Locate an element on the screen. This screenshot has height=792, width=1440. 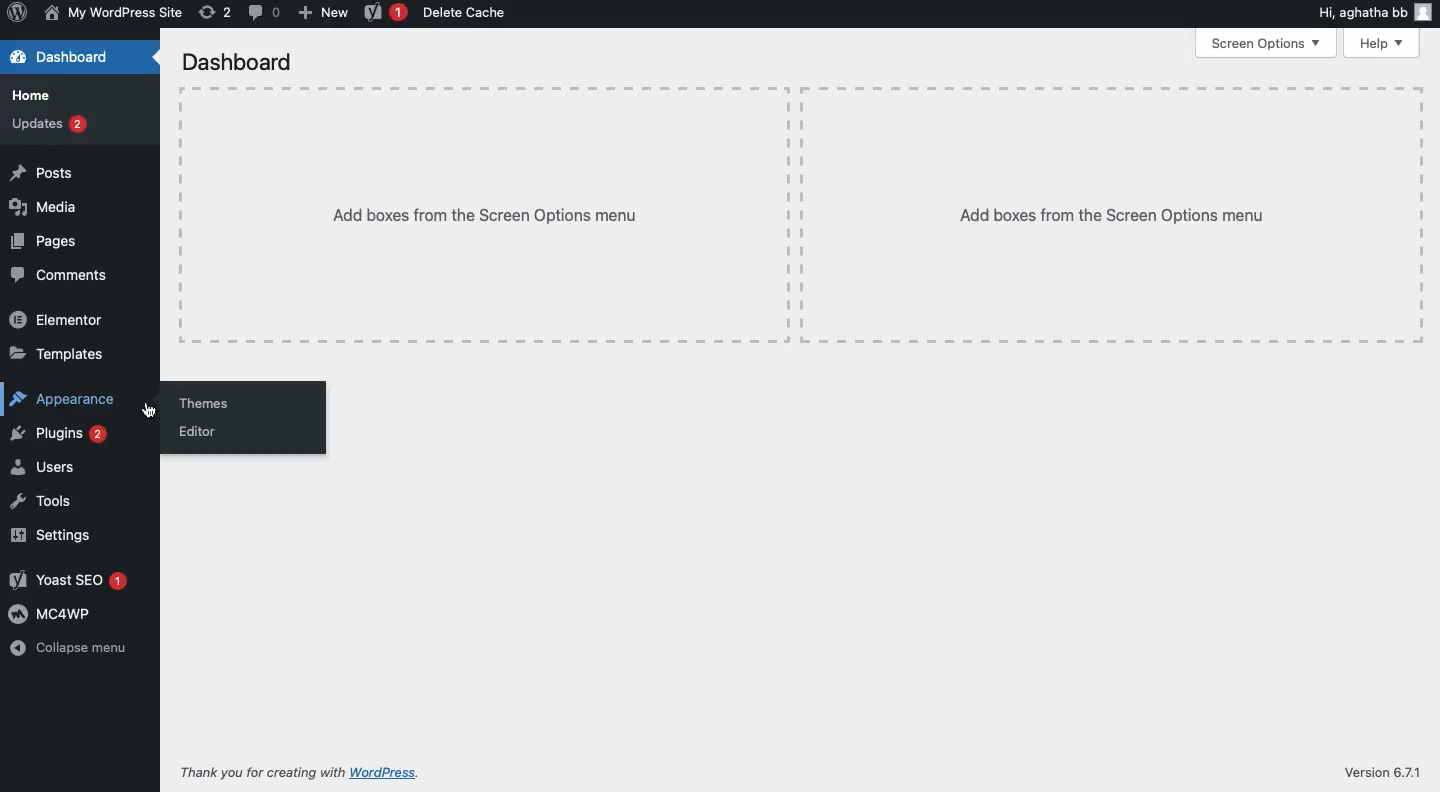
Updates is located at coordinates (49, 126).